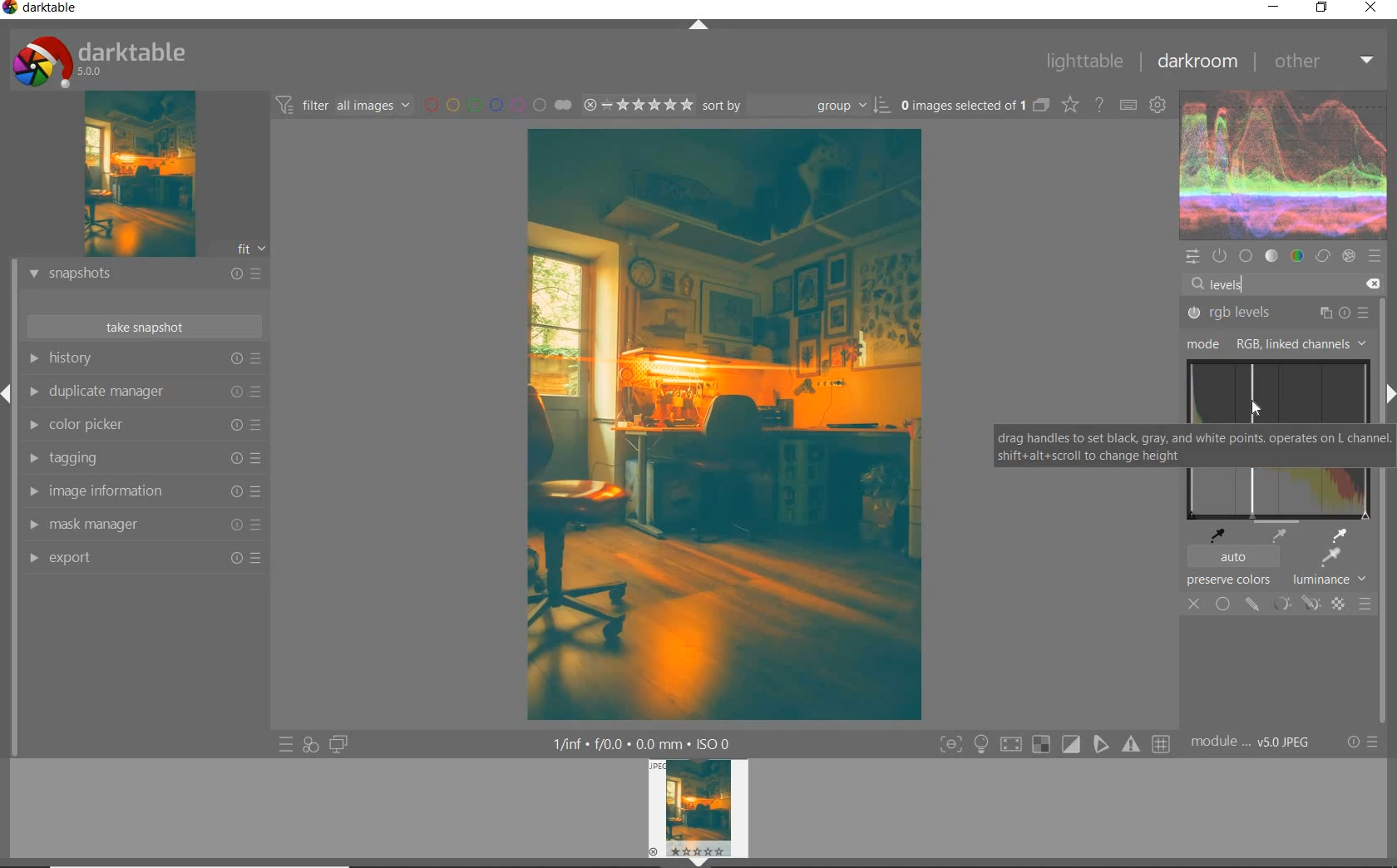 Image resolution: width=1397 pixels, height=868 pixels. What do you see at coordinates (1299, 254) in the screenshot?
I see `color` at bounding box center [1299, 254].